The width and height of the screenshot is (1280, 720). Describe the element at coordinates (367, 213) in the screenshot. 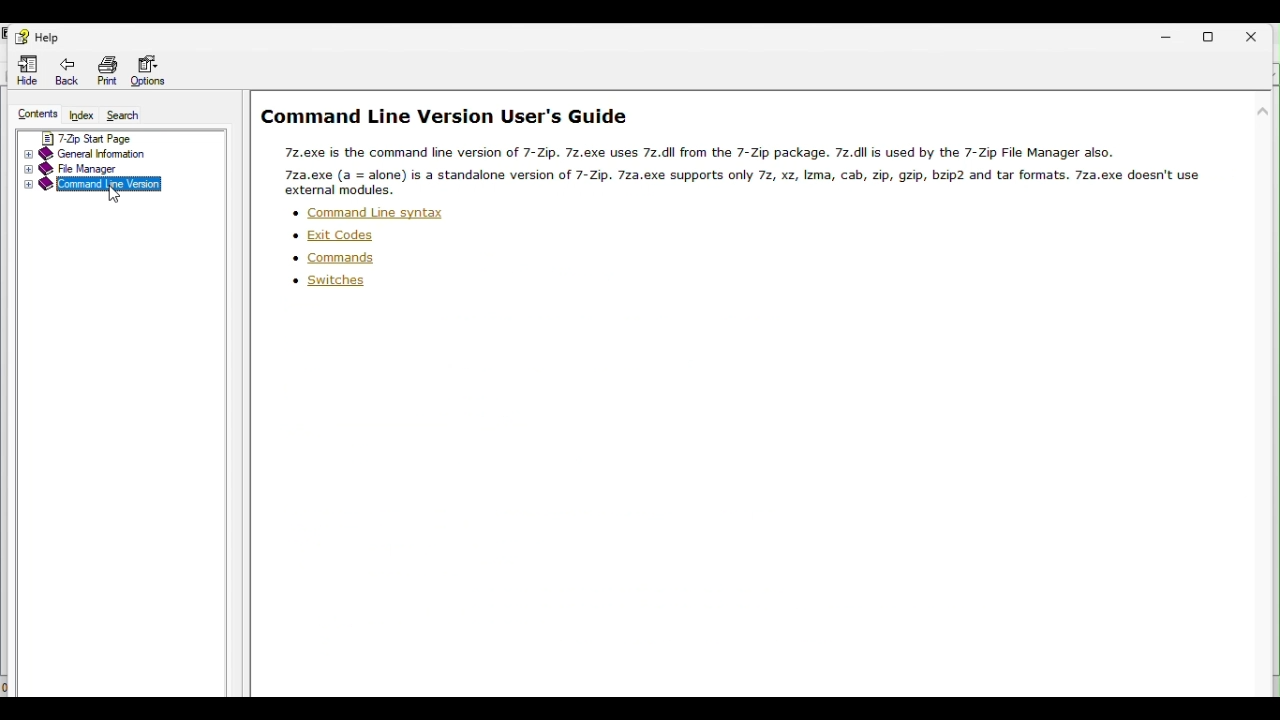

I see `command line syntax` at that location.